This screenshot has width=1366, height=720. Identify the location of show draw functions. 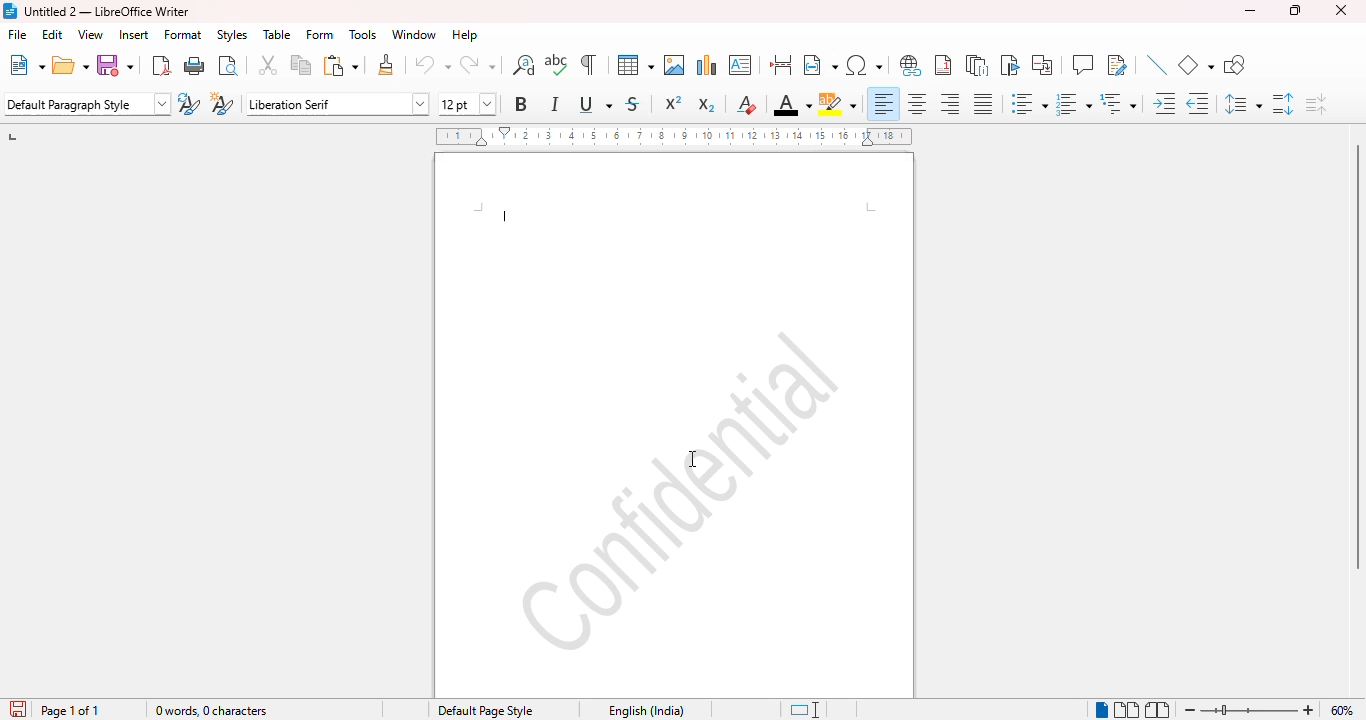
(1235, 65).